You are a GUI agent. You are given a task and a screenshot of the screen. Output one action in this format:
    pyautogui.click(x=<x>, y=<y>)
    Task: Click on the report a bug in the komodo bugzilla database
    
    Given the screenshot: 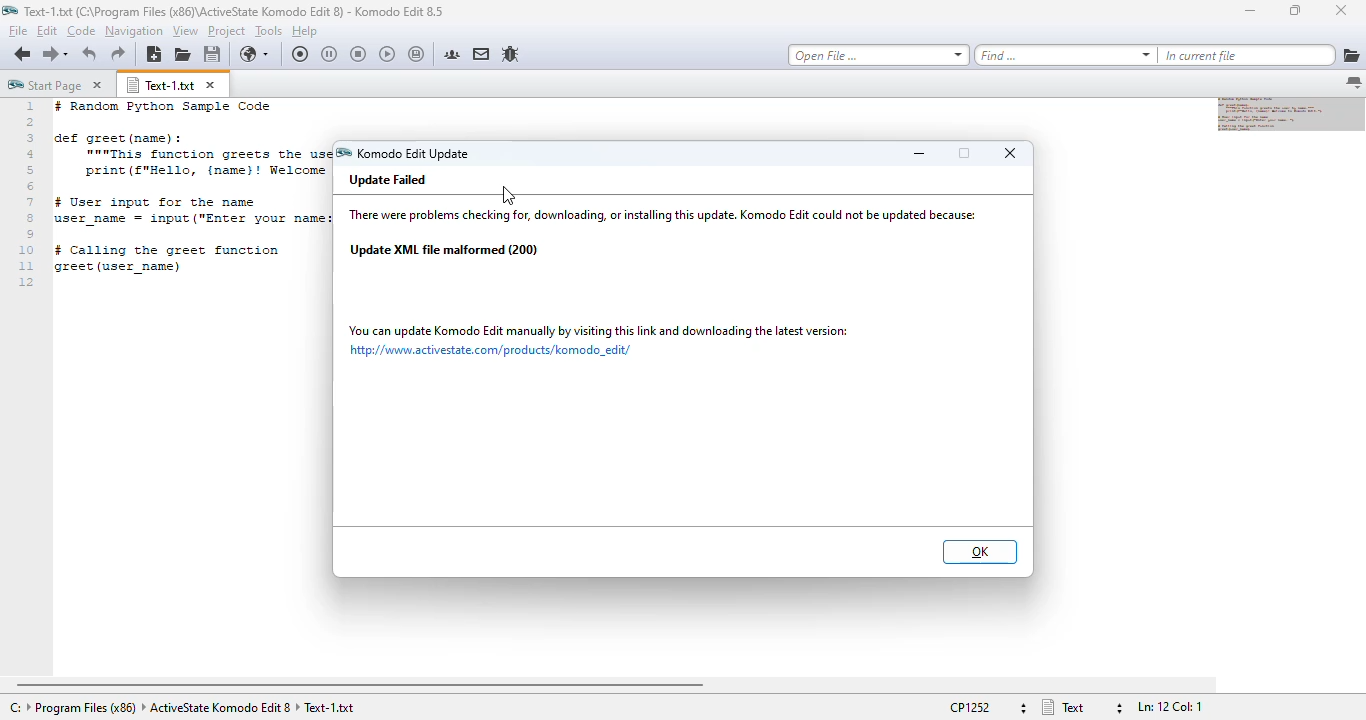 What is the action you would take?
    pyautogui.click(x=511, y=53)
    